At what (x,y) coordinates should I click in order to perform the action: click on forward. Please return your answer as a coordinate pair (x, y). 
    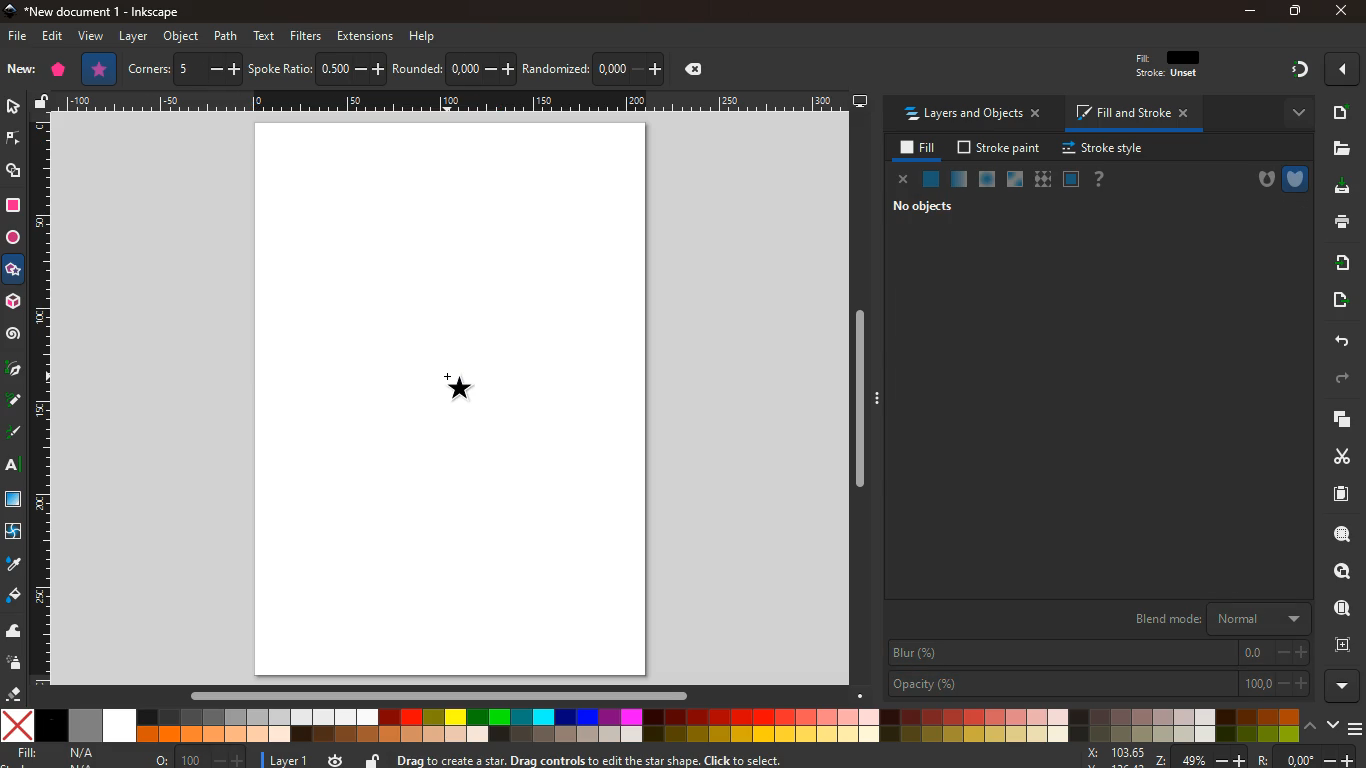
    Looking at the image, I should click on (1334, 380).